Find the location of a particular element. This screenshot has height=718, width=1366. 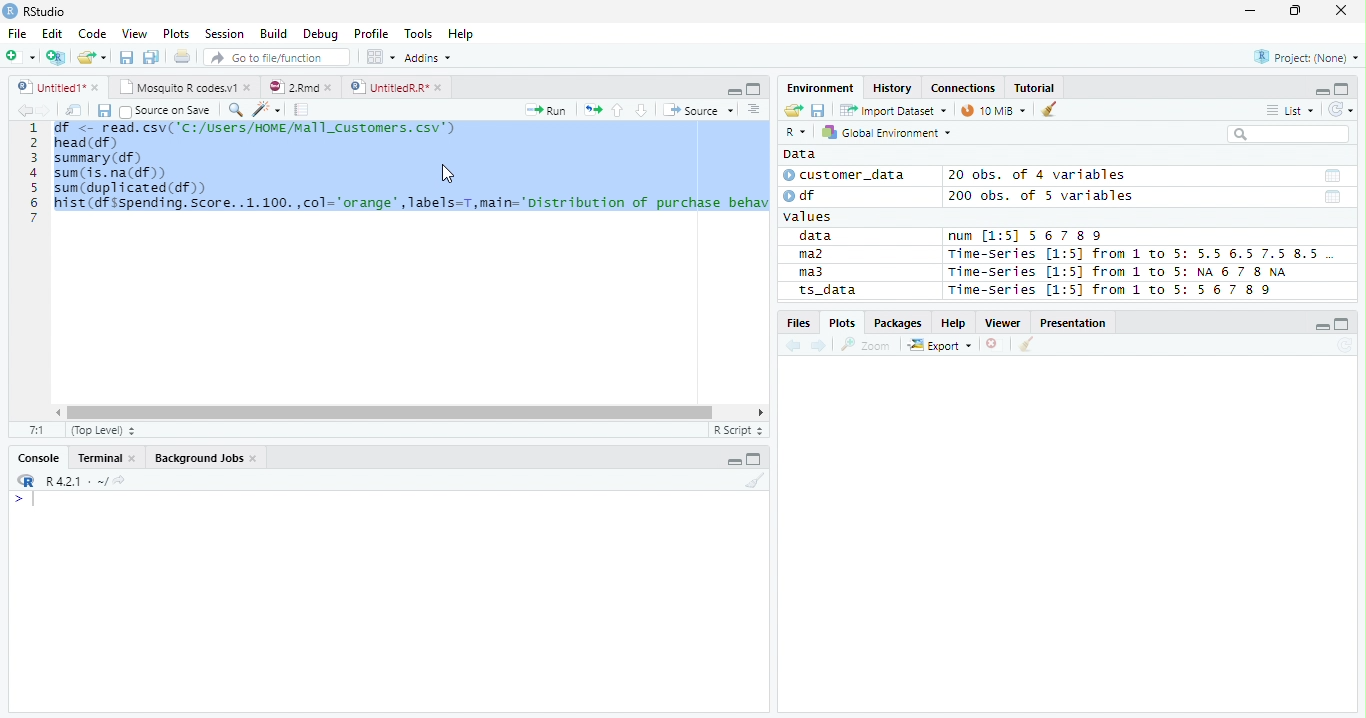

Mosquito T codes.v1 is located at coordinates (185, 88).